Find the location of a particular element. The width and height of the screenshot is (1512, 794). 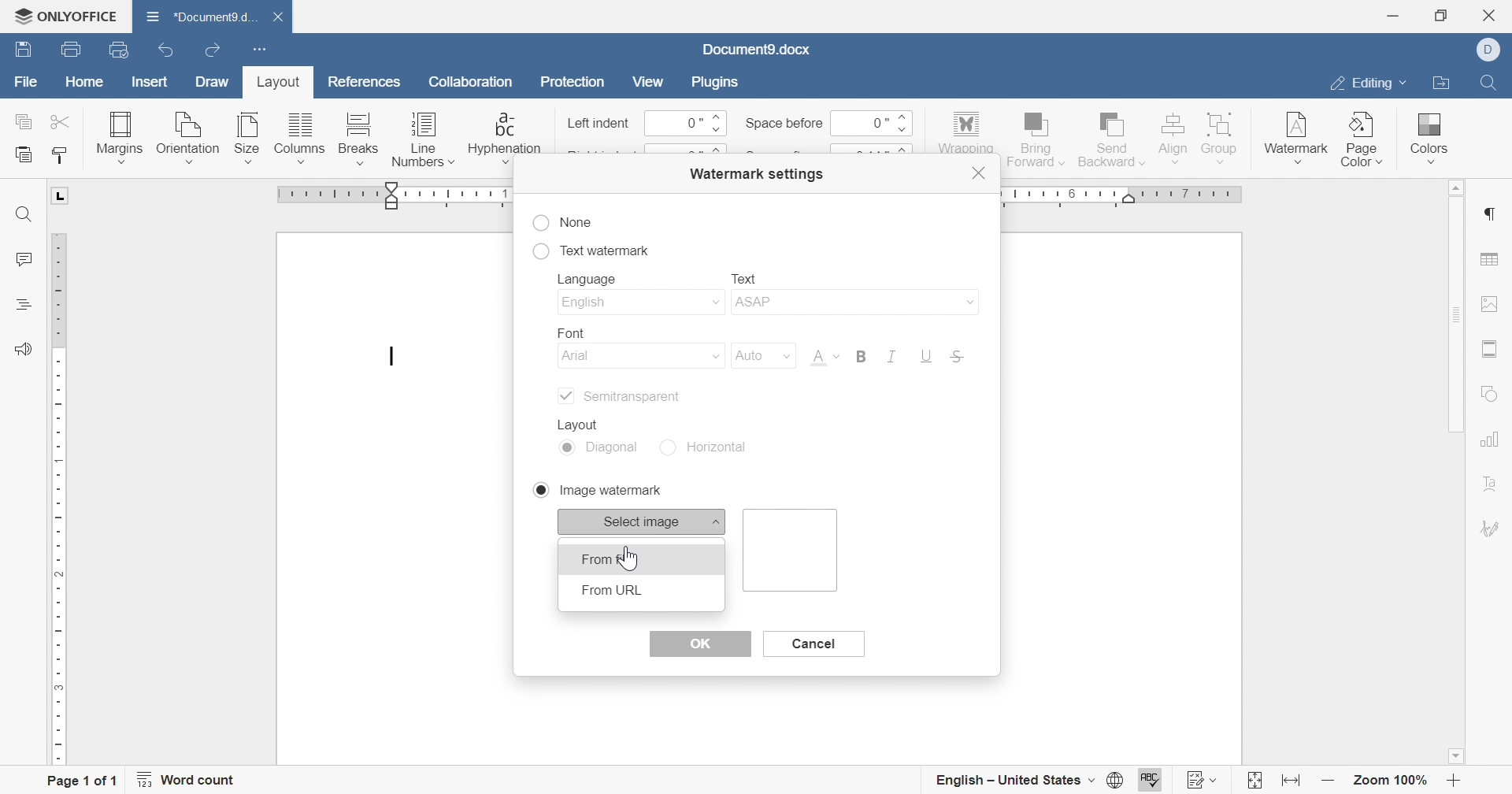

cursor is located at coordinates (640, 559).